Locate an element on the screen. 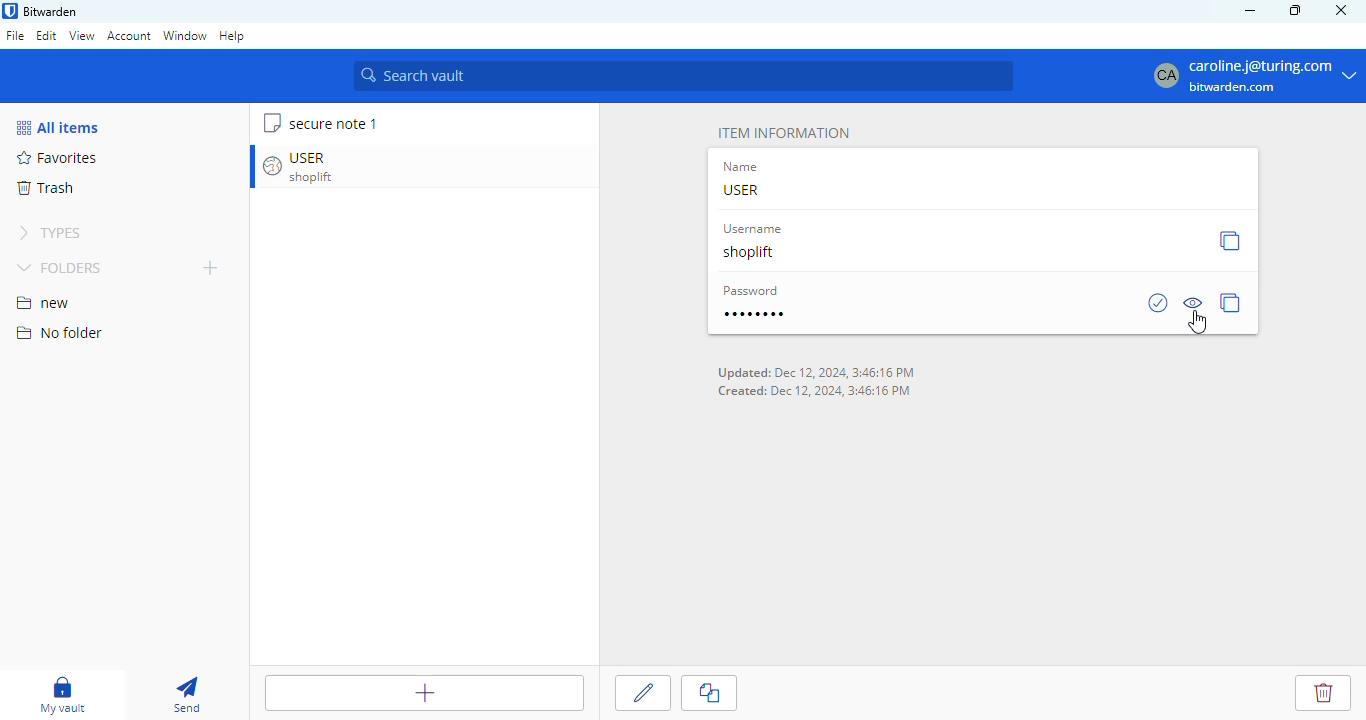 Image resolution: width=1366 pixels, height=720 pixels. minimize is located at coordinates (1250, 11).